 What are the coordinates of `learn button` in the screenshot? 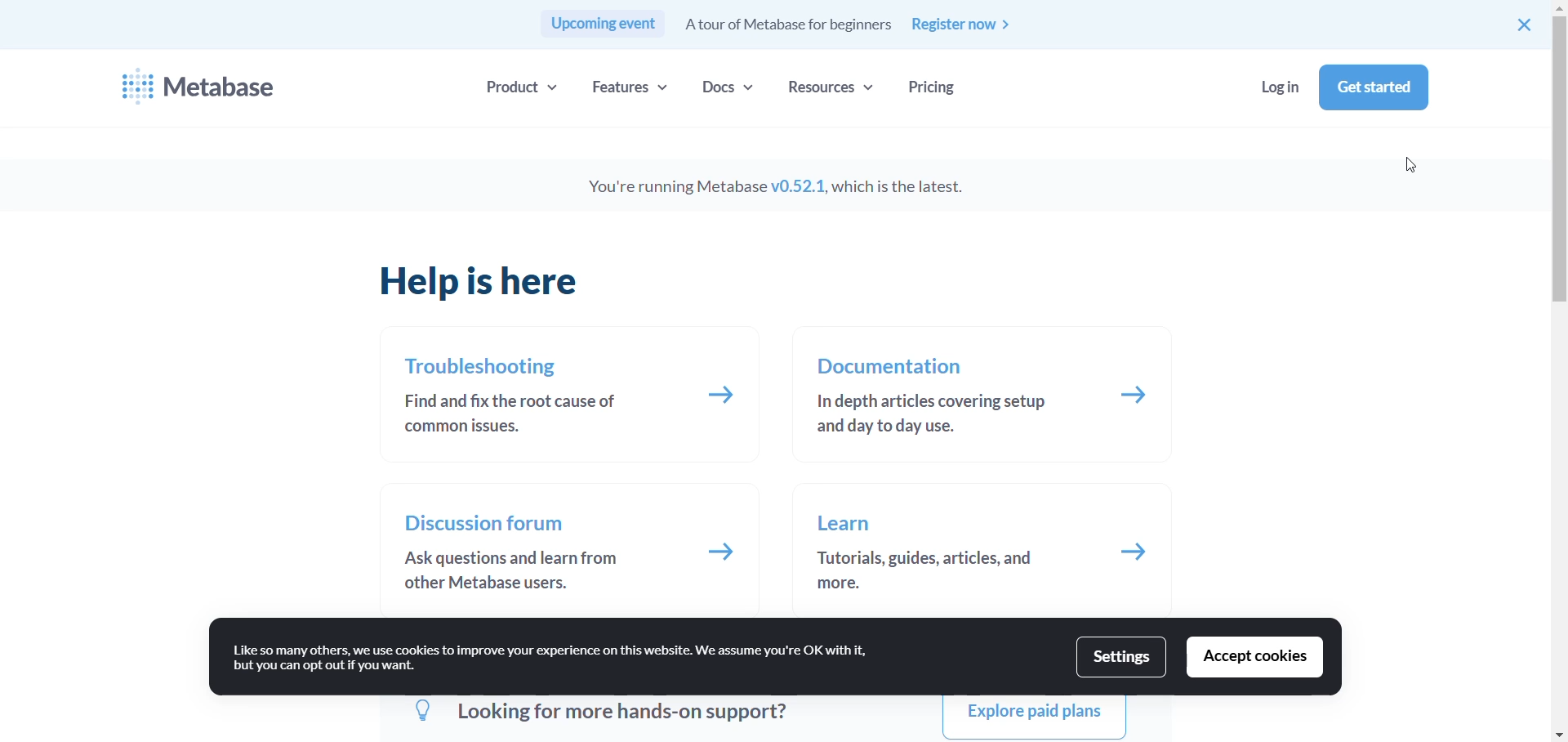 It's located at (849, 525).